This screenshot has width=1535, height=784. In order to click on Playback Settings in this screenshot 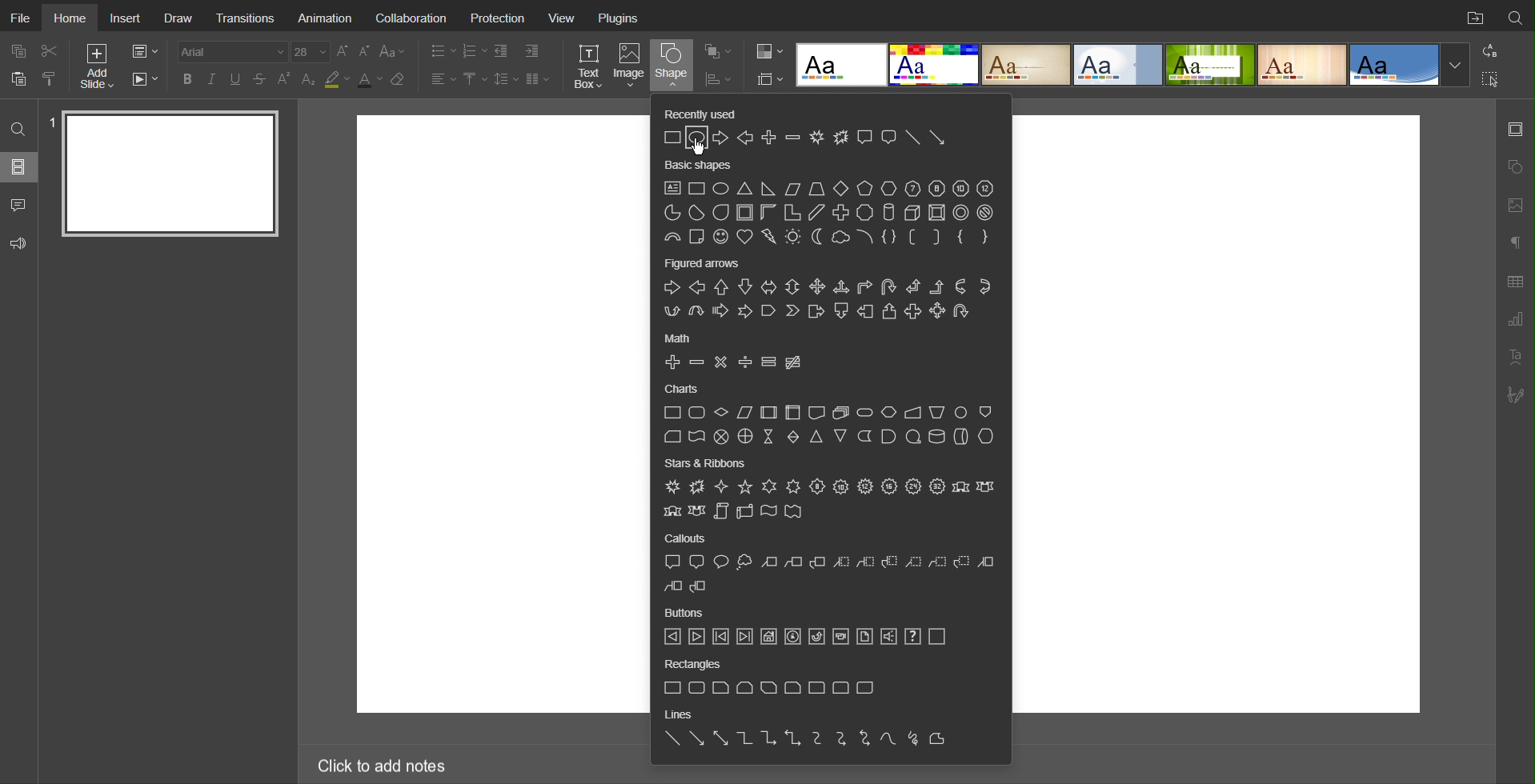, I will do `click(145, 79)`.